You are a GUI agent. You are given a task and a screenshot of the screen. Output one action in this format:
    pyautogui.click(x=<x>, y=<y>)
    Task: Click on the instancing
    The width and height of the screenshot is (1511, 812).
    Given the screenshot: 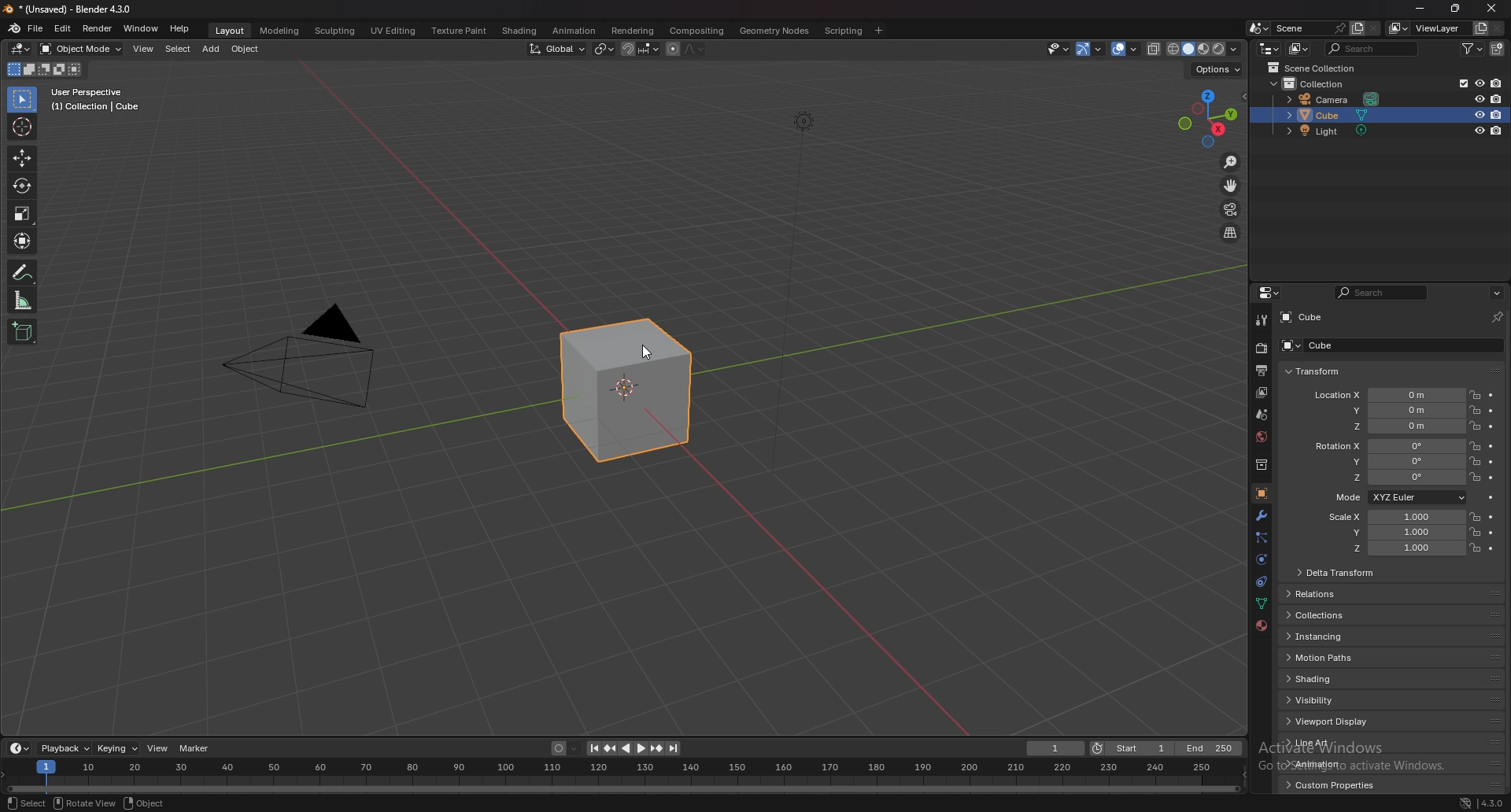 What is the action you would take?
    pyautogui.click(x=1333, y=637)
    